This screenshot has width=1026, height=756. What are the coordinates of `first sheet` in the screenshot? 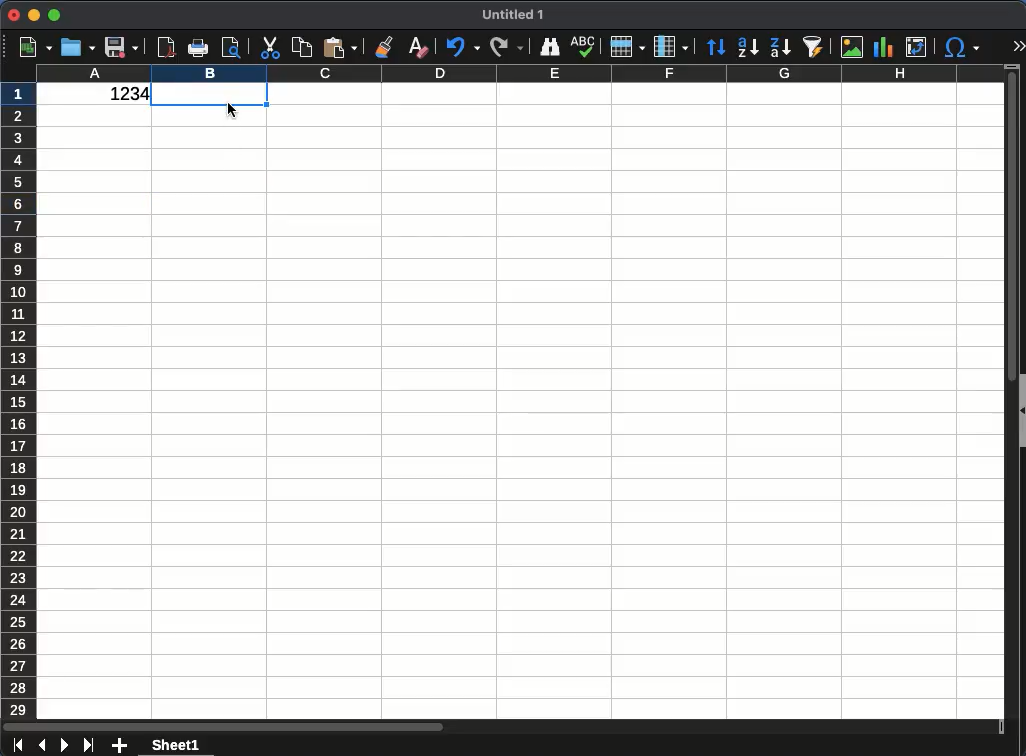 It's located at (18, 745).